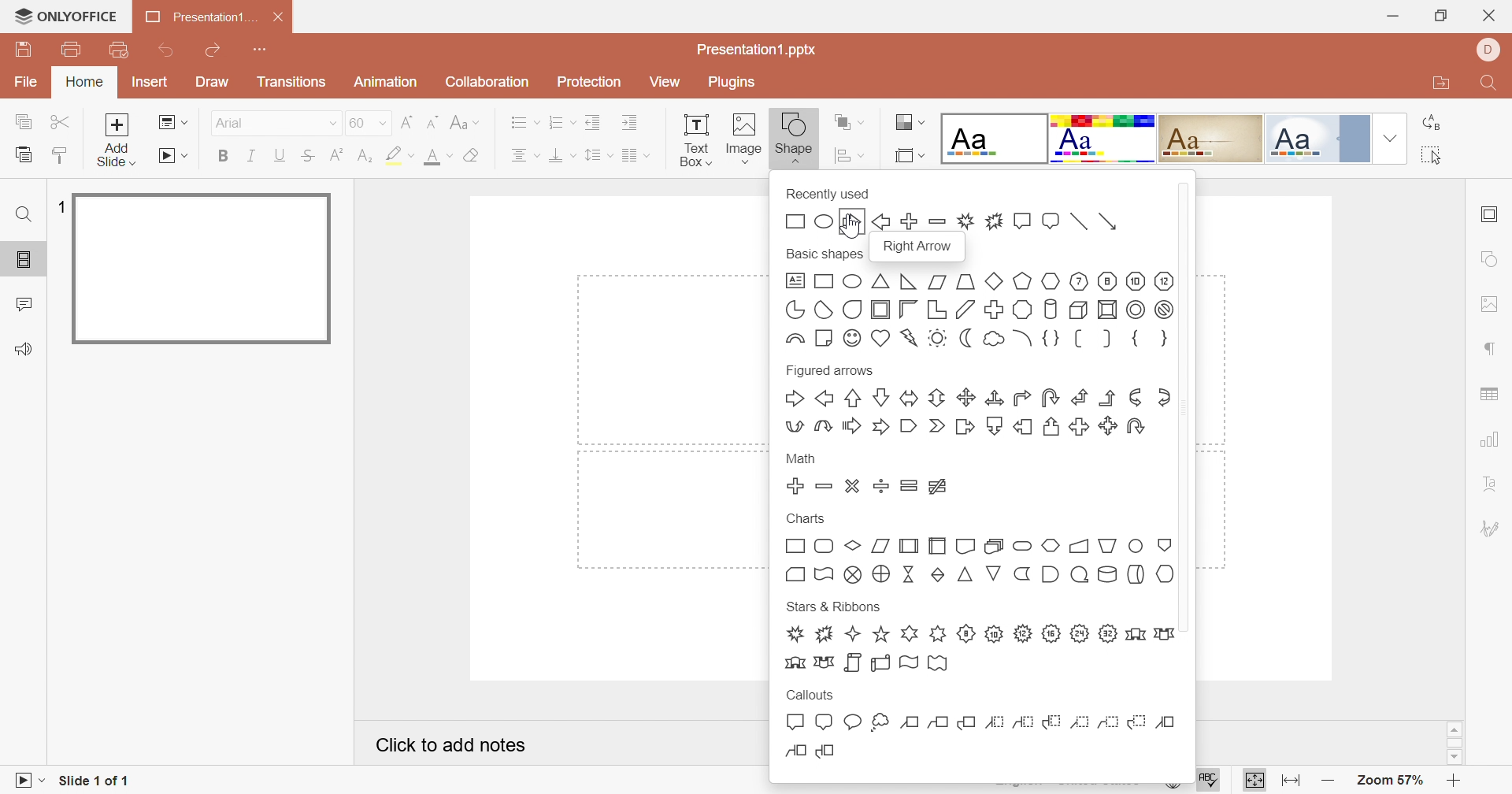 The image size is (1512, 794). Describe the element at coordinates (1206, 780) in the screenshot. I see `Spell checking` at that location.